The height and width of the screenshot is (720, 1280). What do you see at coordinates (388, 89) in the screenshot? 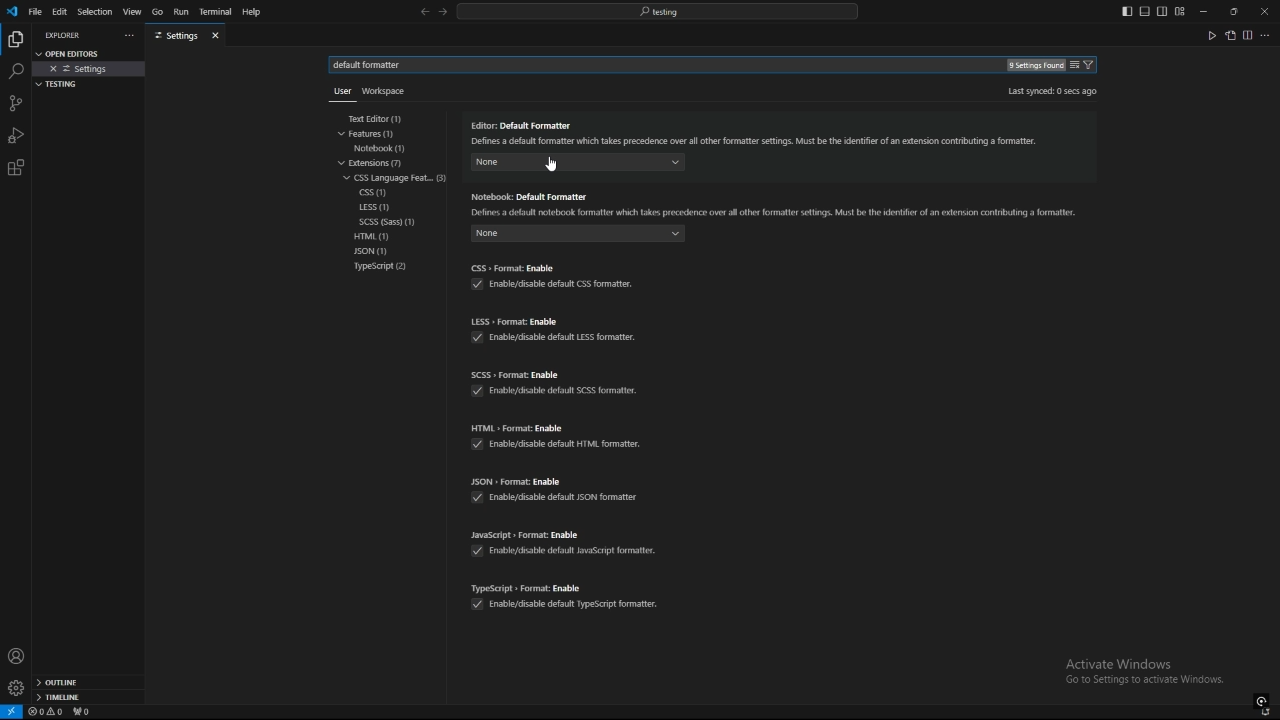
I see `workspace` at bounding box center [388, 89].